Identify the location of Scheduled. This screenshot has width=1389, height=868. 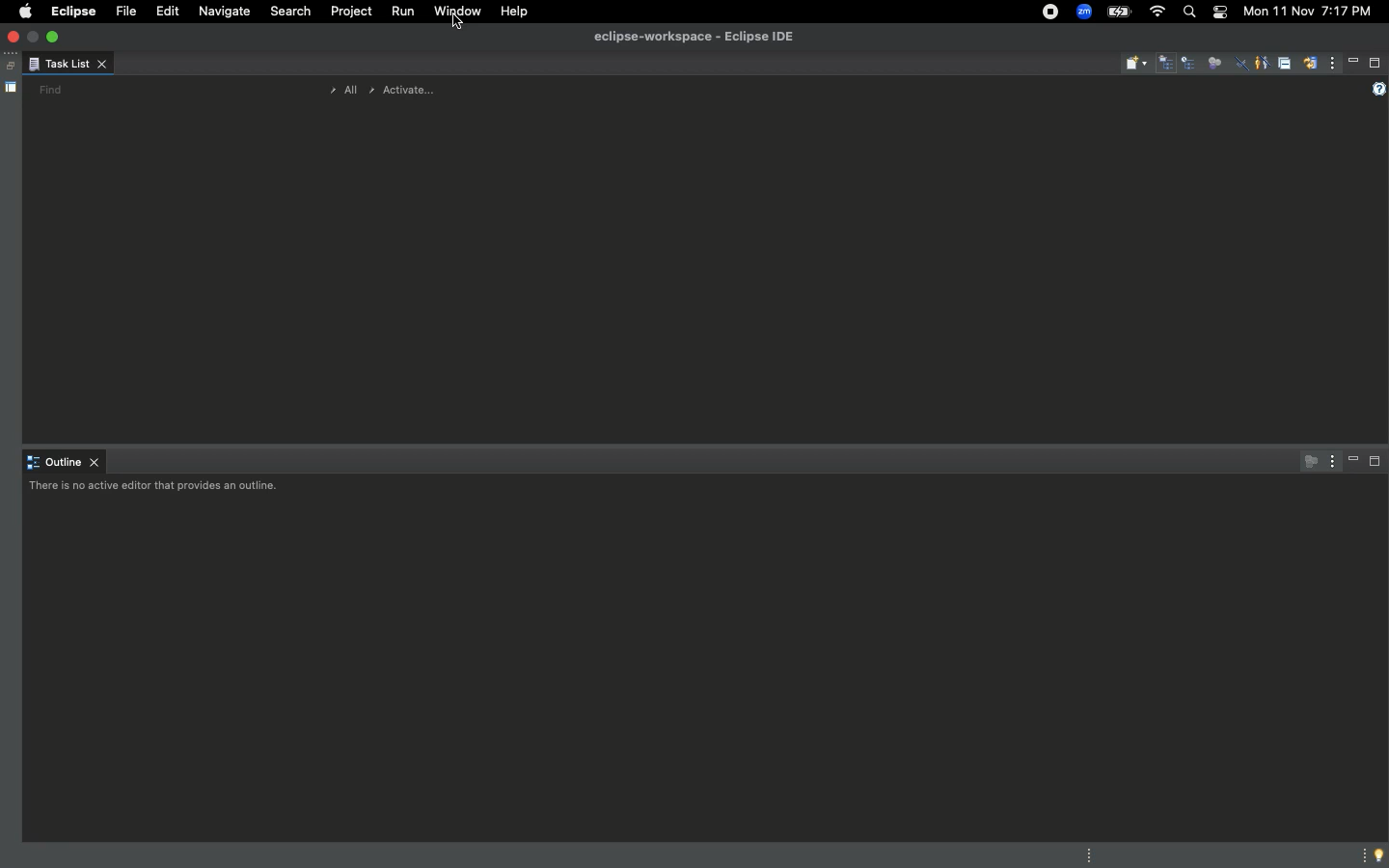
(1190, 65).